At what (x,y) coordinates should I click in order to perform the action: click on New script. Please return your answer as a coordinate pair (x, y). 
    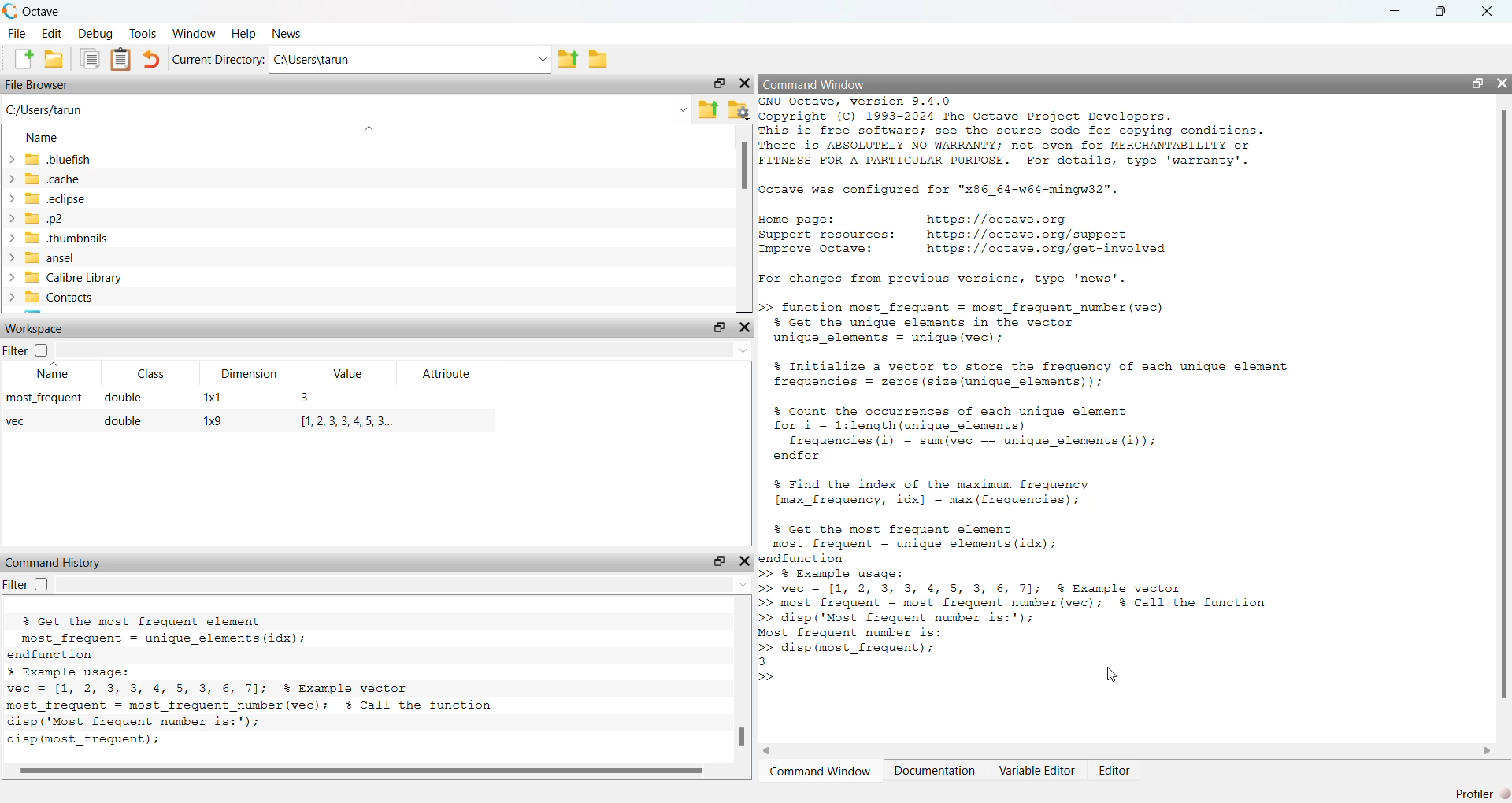
    Looking at the image, I should click on (21, 58).